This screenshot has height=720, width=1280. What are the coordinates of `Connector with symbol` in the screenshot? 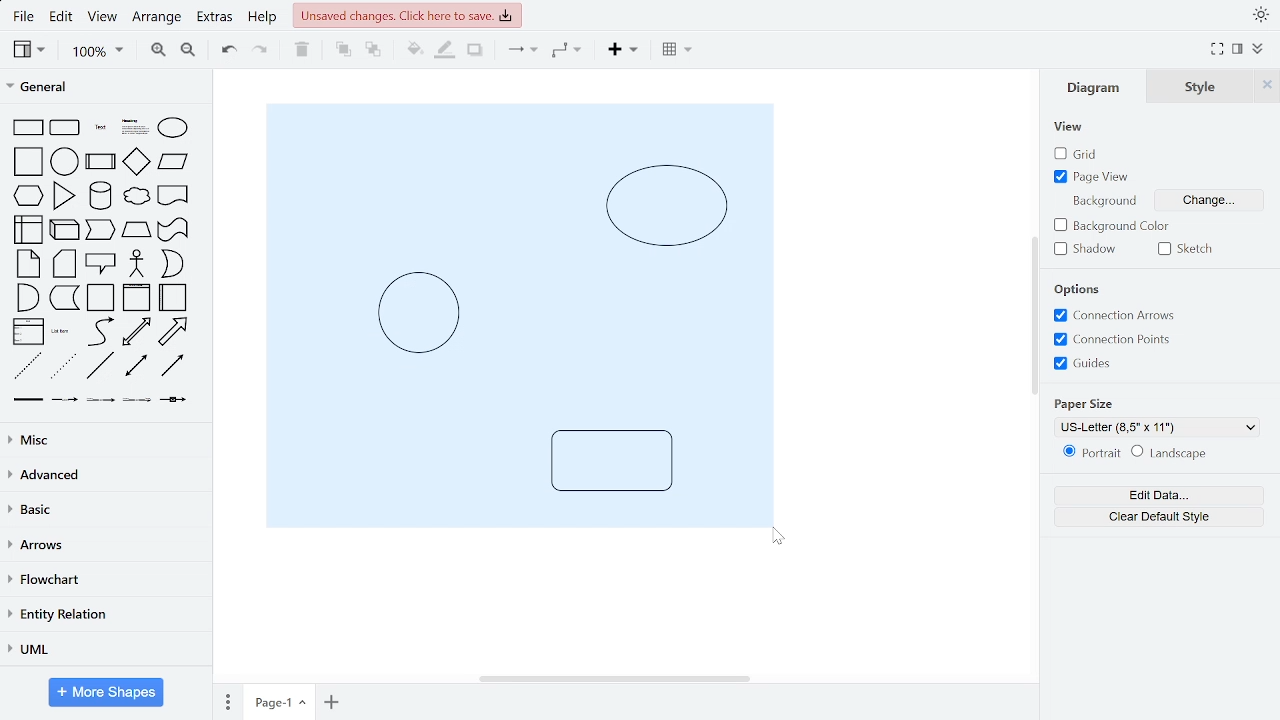 It's located at (174, 405).